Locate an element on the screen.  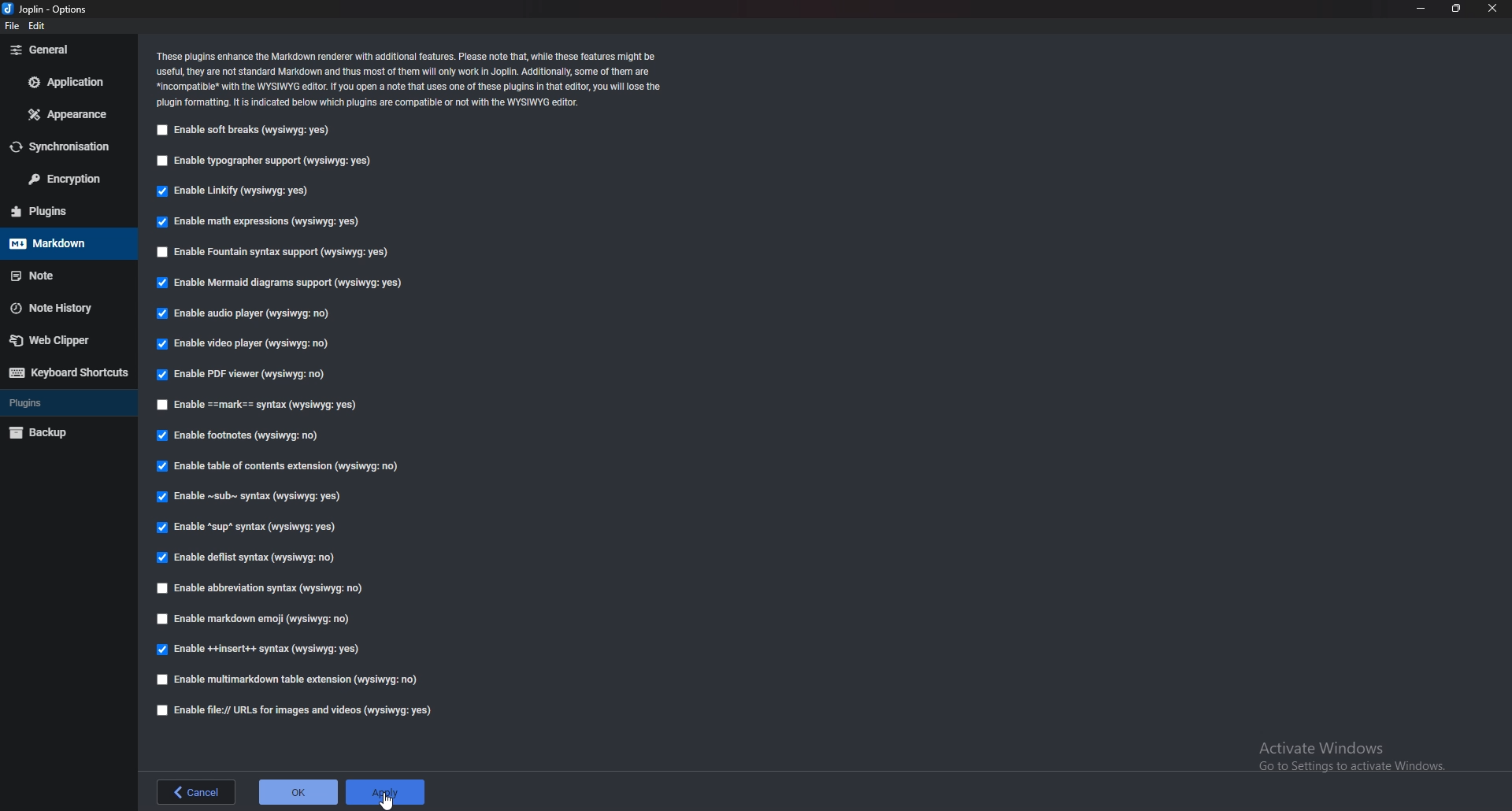
Enable insert syntax is located at coordinates (259, 651).